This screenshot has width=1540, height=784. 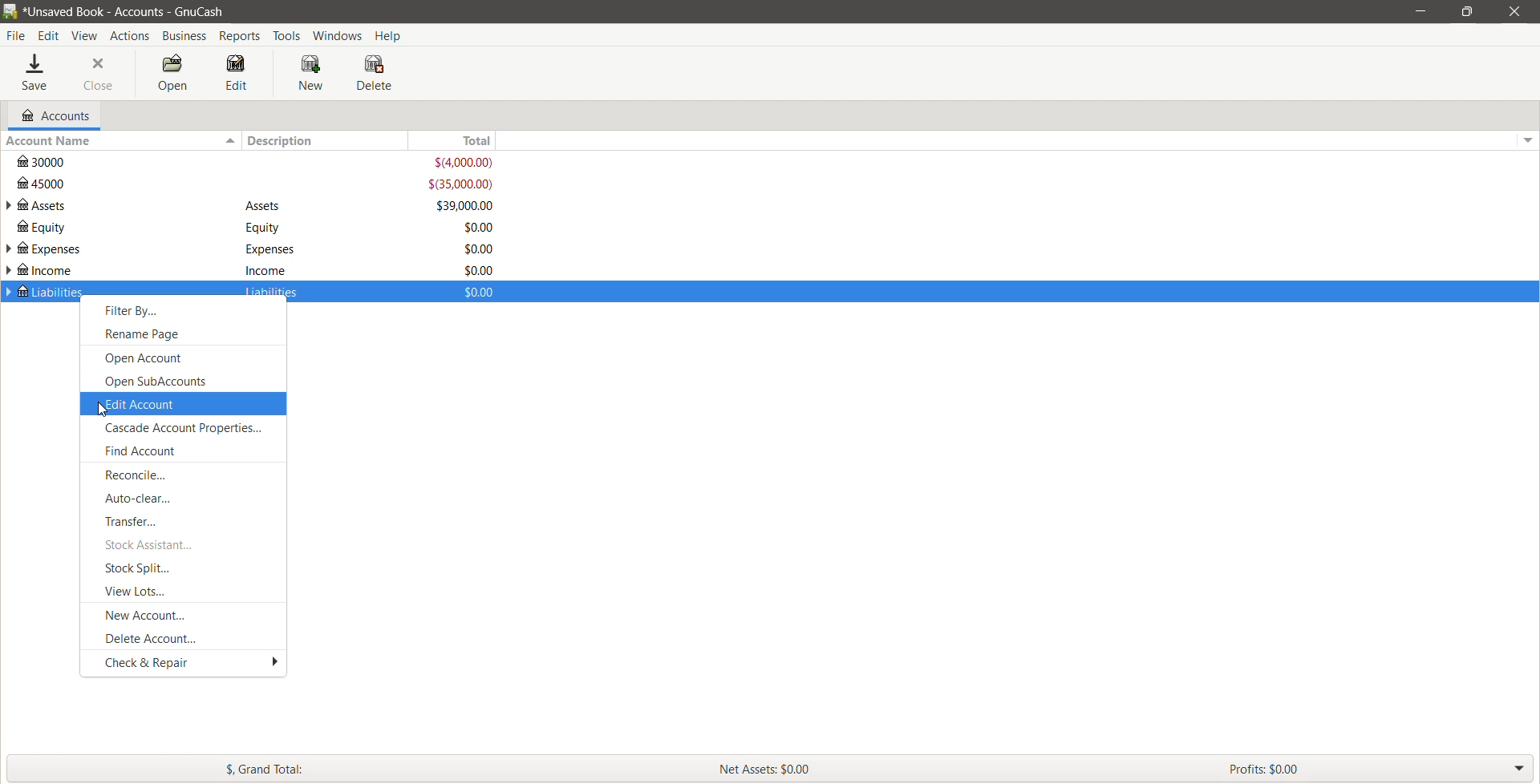 I want to click on Delete Account, so click(x=158, y=638).